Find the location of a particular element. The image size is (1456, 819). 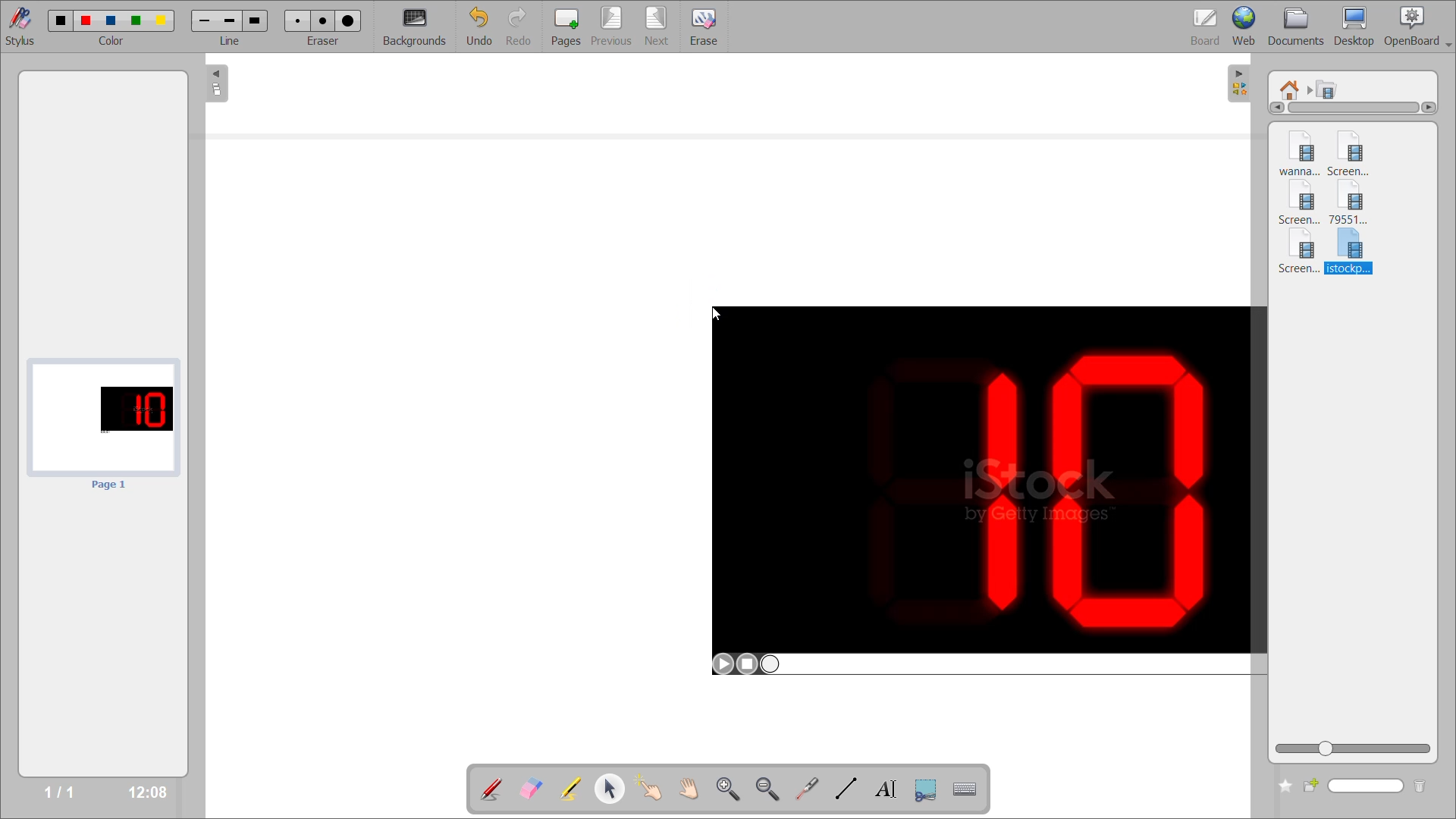

cursor is located at coordinates (712, 318).